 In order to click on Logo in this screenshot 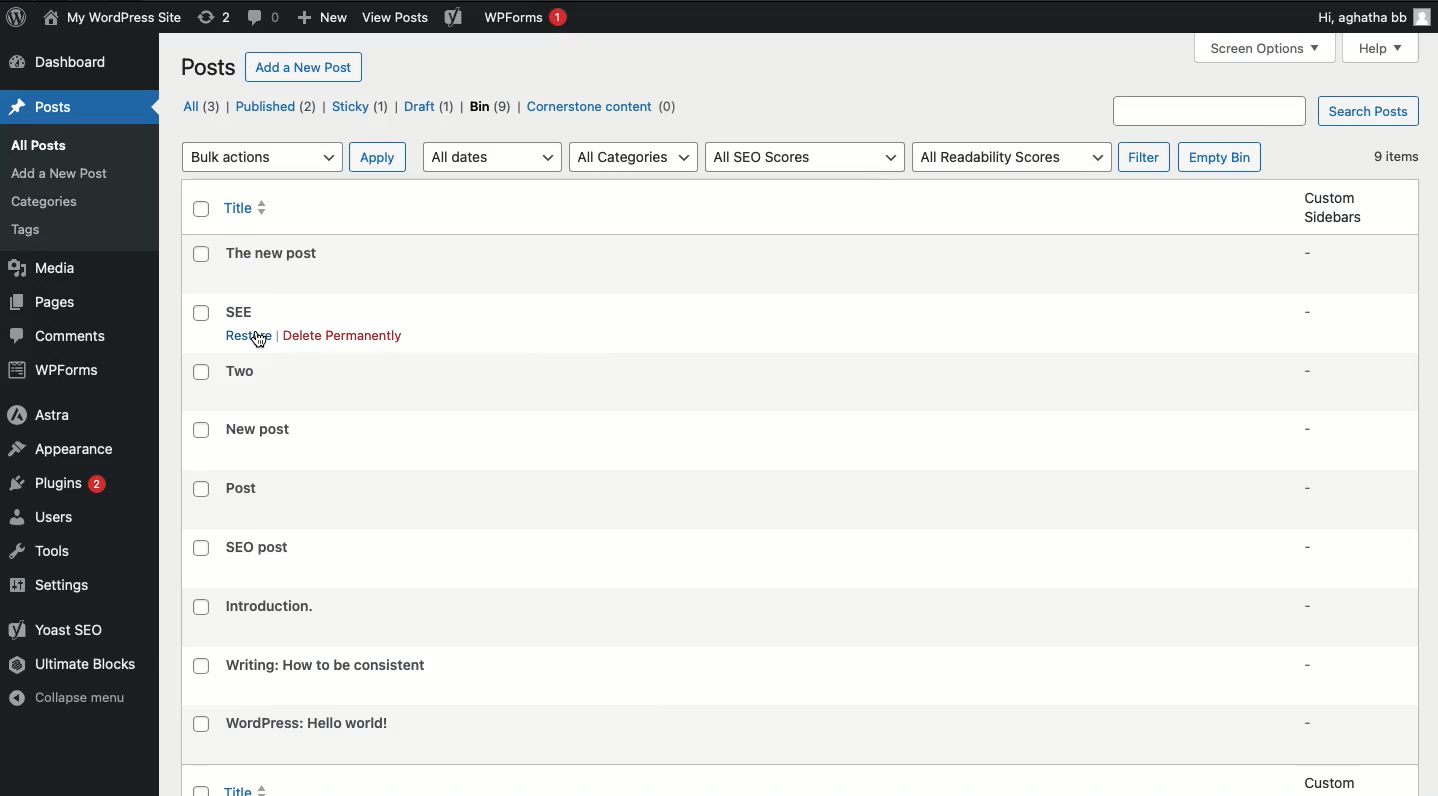, I will do `click(19, 19)`.